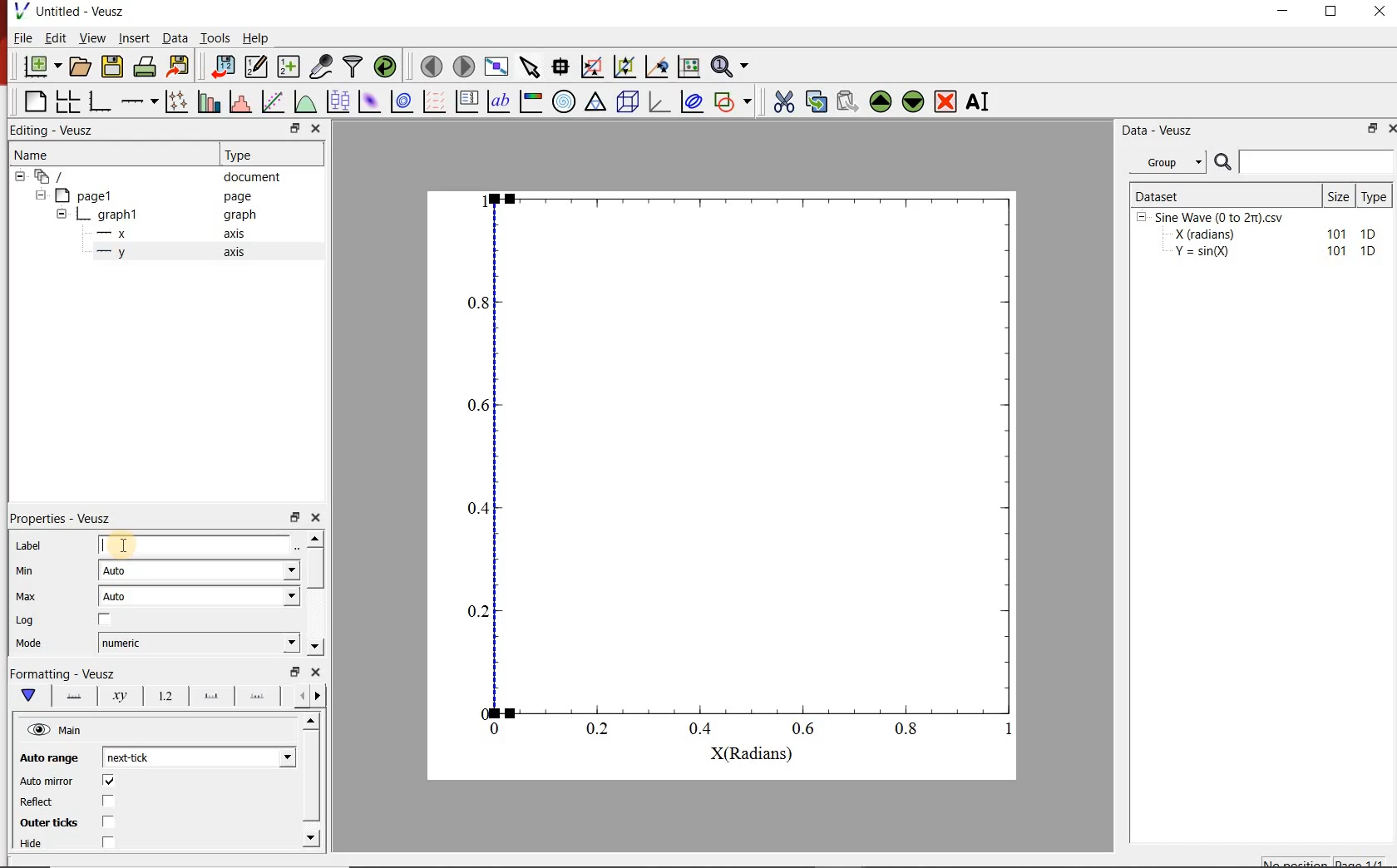  What do you see at coordinates (243, 153) in the screenshot?
I see `Type` at bounding box center [243, 153].